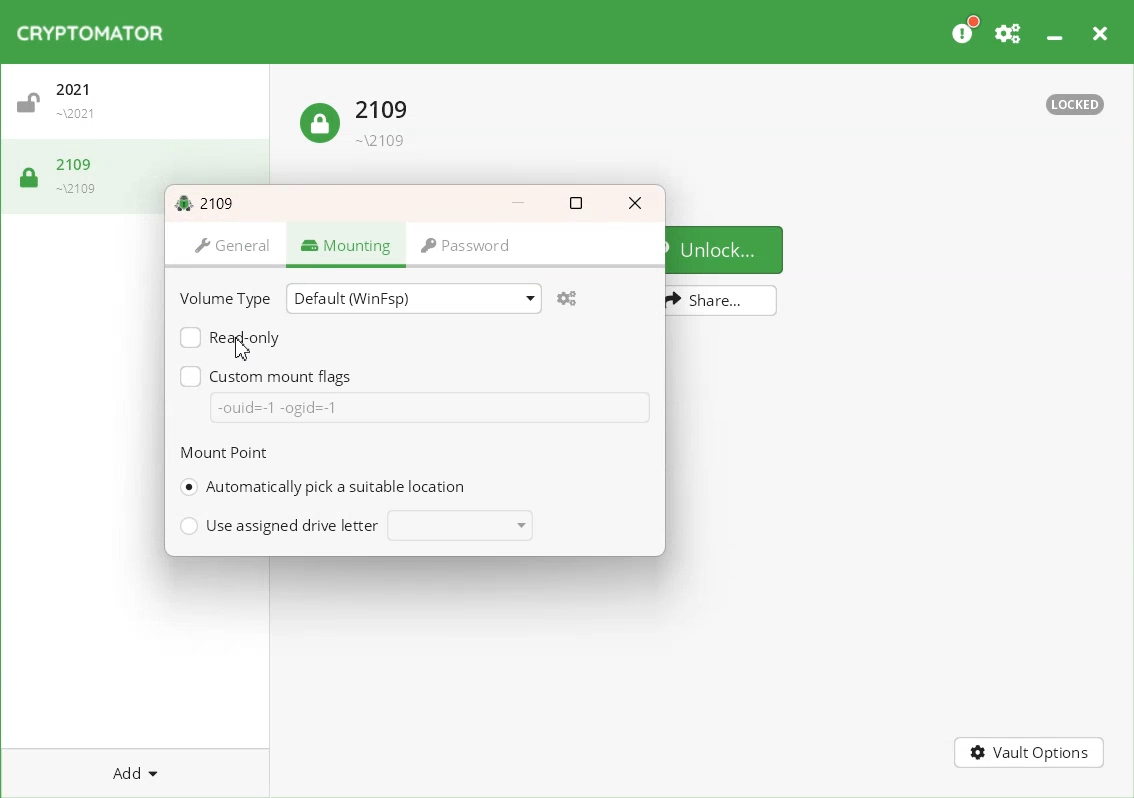  What do you see at coordinates (469, 249) in the screenshot?
I see `Password` at bounding box center [469, 249].